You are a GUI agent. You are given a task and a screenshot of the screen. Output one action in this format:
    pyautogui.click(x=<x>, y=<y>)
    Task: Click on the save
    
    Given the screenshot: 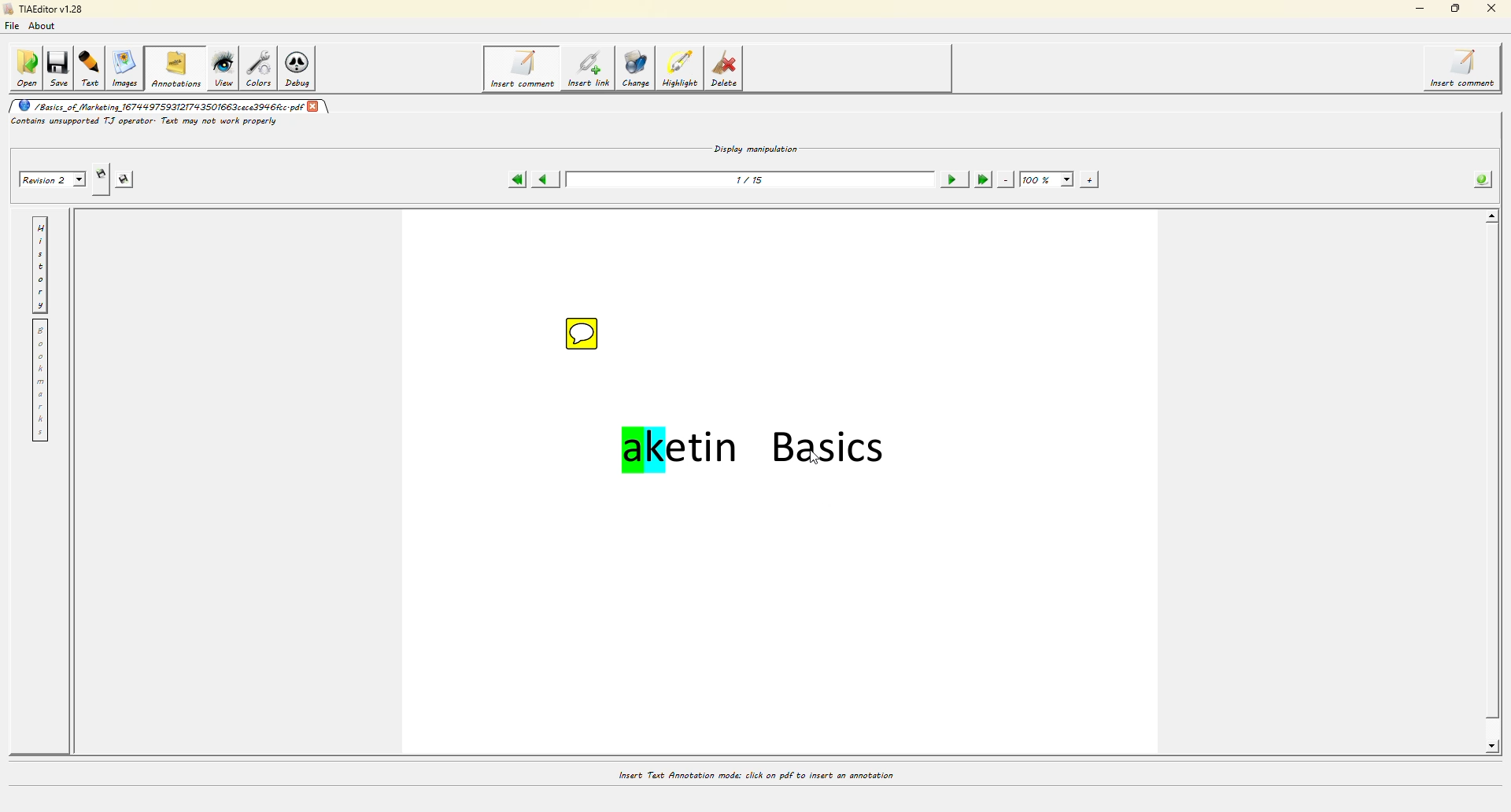 What is the action you would take?
    pyautogui.click(x=61, y=65)
    